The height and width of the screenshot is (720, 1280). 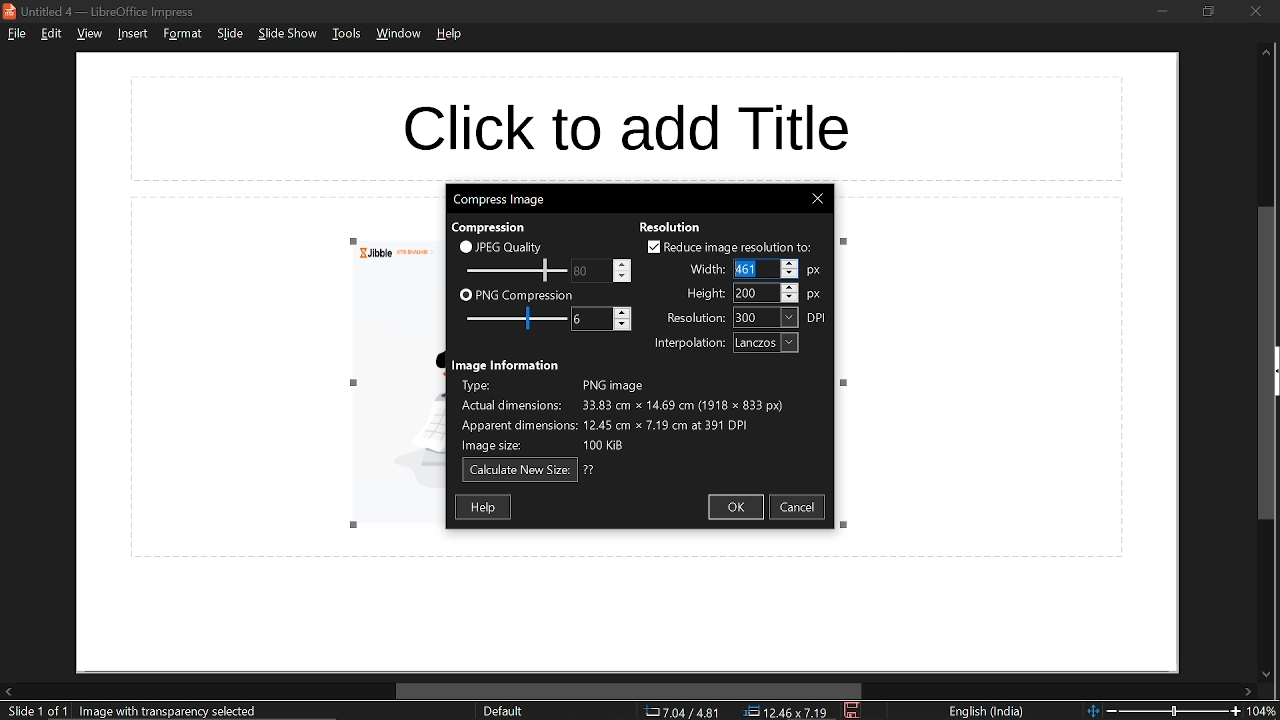 What do you see at coordinates (705, 271) in the screenshot?
I see `text` at bounding box center [705, 271].